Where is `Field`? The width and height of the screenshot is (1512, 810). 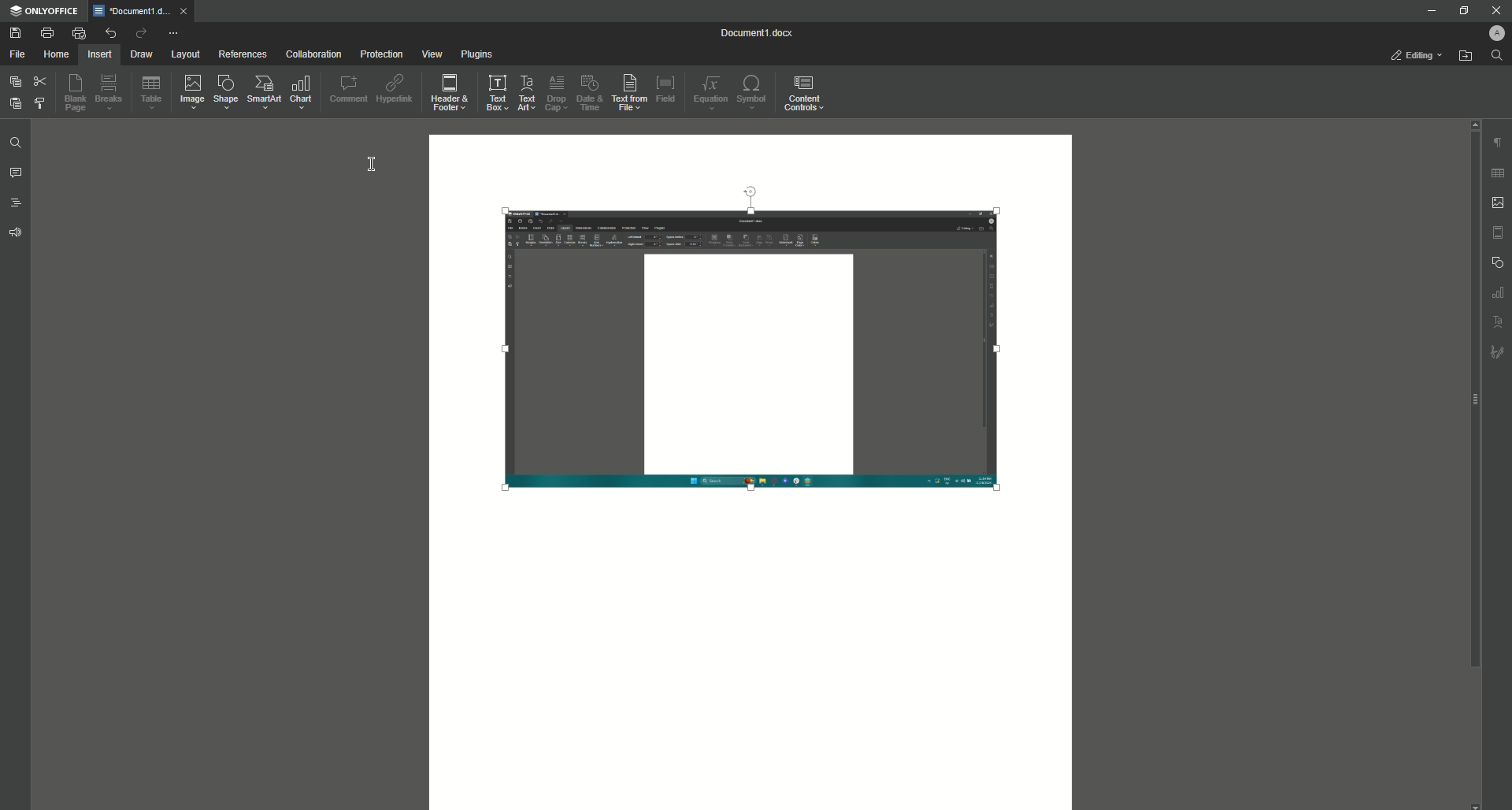
Field is located at coordinates (667, 93).